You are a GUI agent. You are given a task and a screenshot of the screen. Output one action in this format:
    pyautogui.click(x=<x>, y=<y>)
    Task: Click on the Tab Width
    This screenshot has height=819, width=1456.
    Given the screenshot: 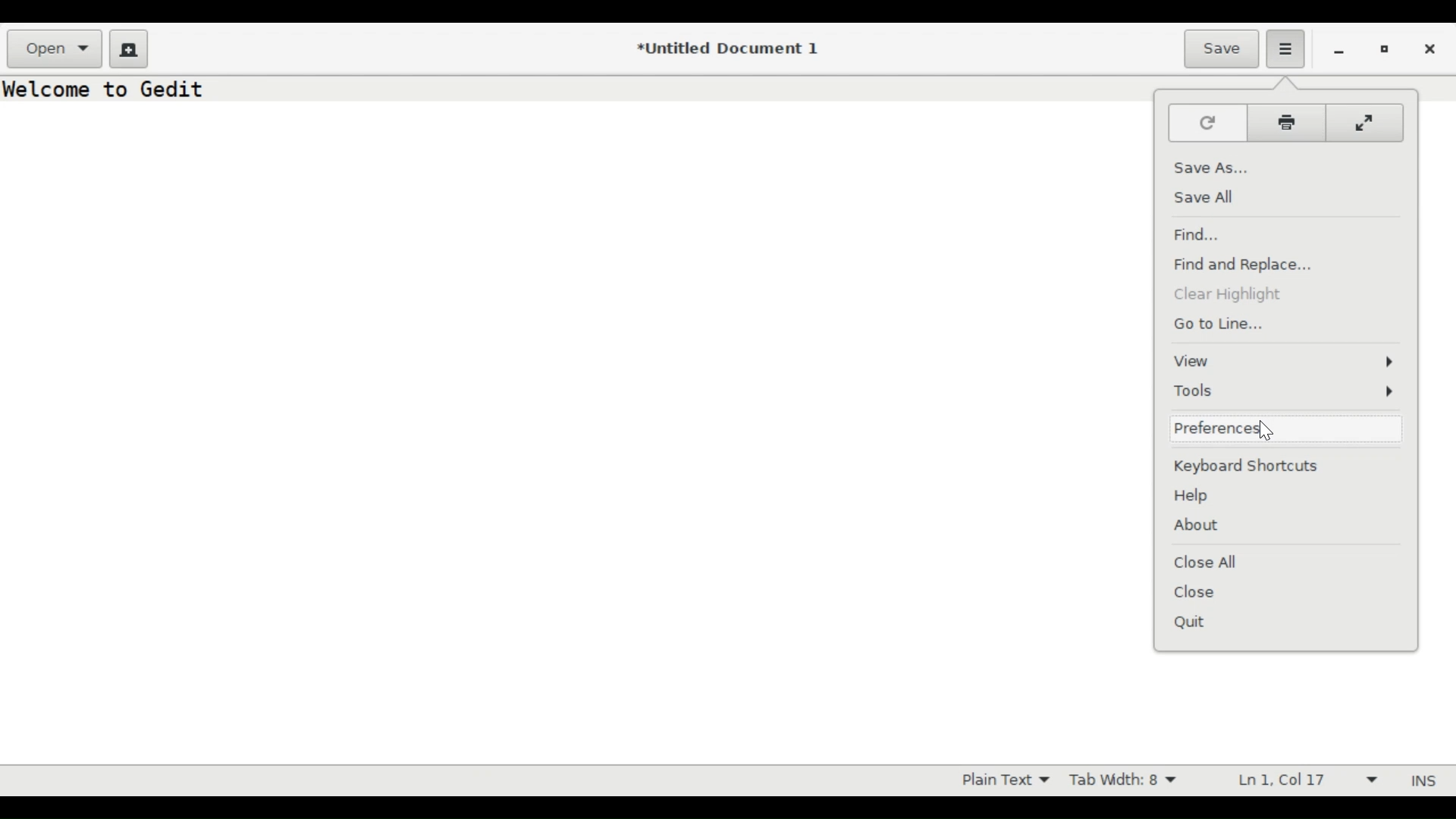 What is the action you would take?
    pyautogui.click(x=1123, y=781)
    